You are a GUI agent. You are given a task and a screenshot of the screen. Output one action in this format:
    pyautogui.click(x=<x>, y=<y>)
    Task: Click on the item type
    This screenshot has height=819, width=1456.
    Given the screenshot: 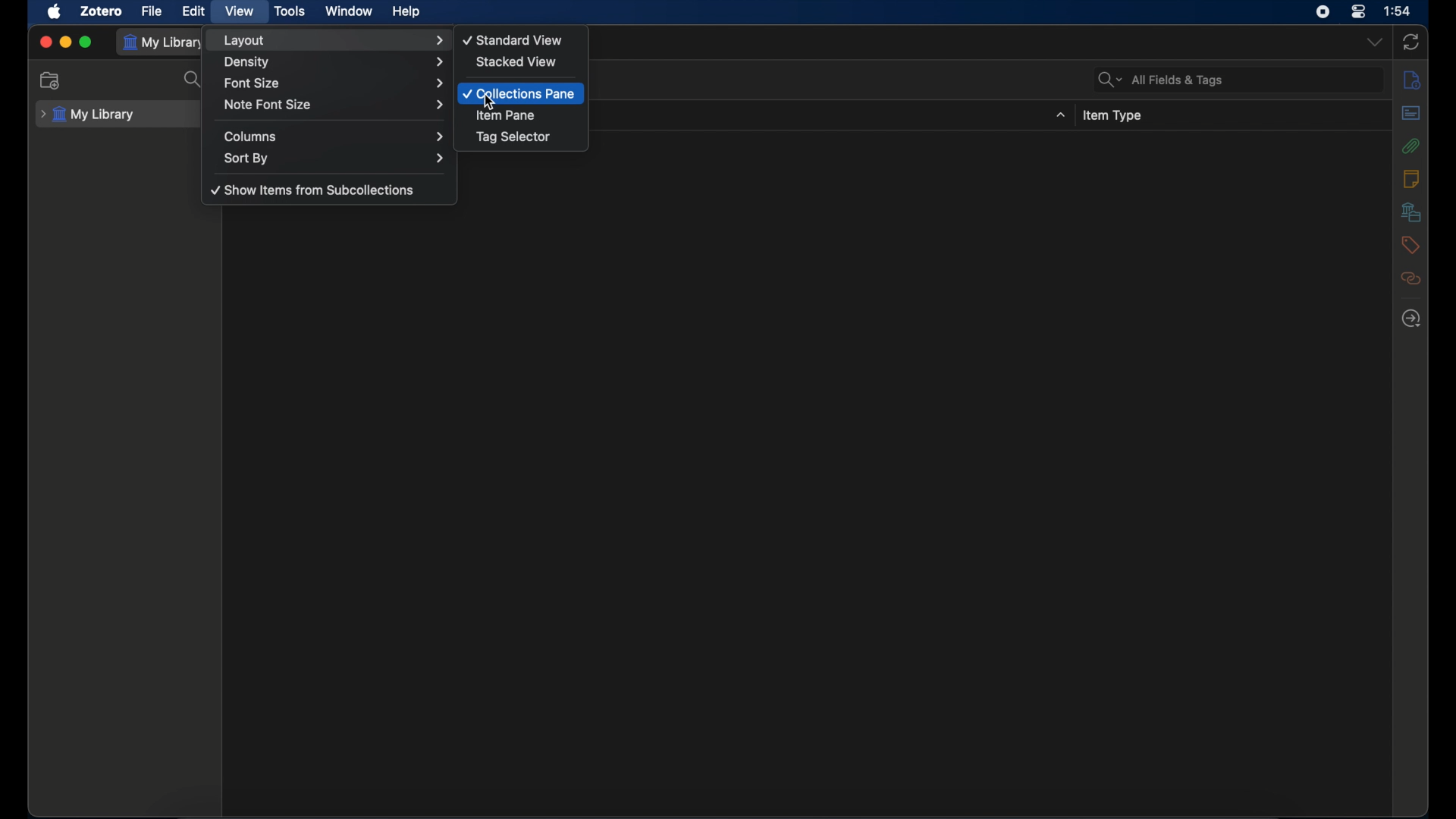 What is the action you would take?
    pyautogui.click(x=1115, y=115)
    